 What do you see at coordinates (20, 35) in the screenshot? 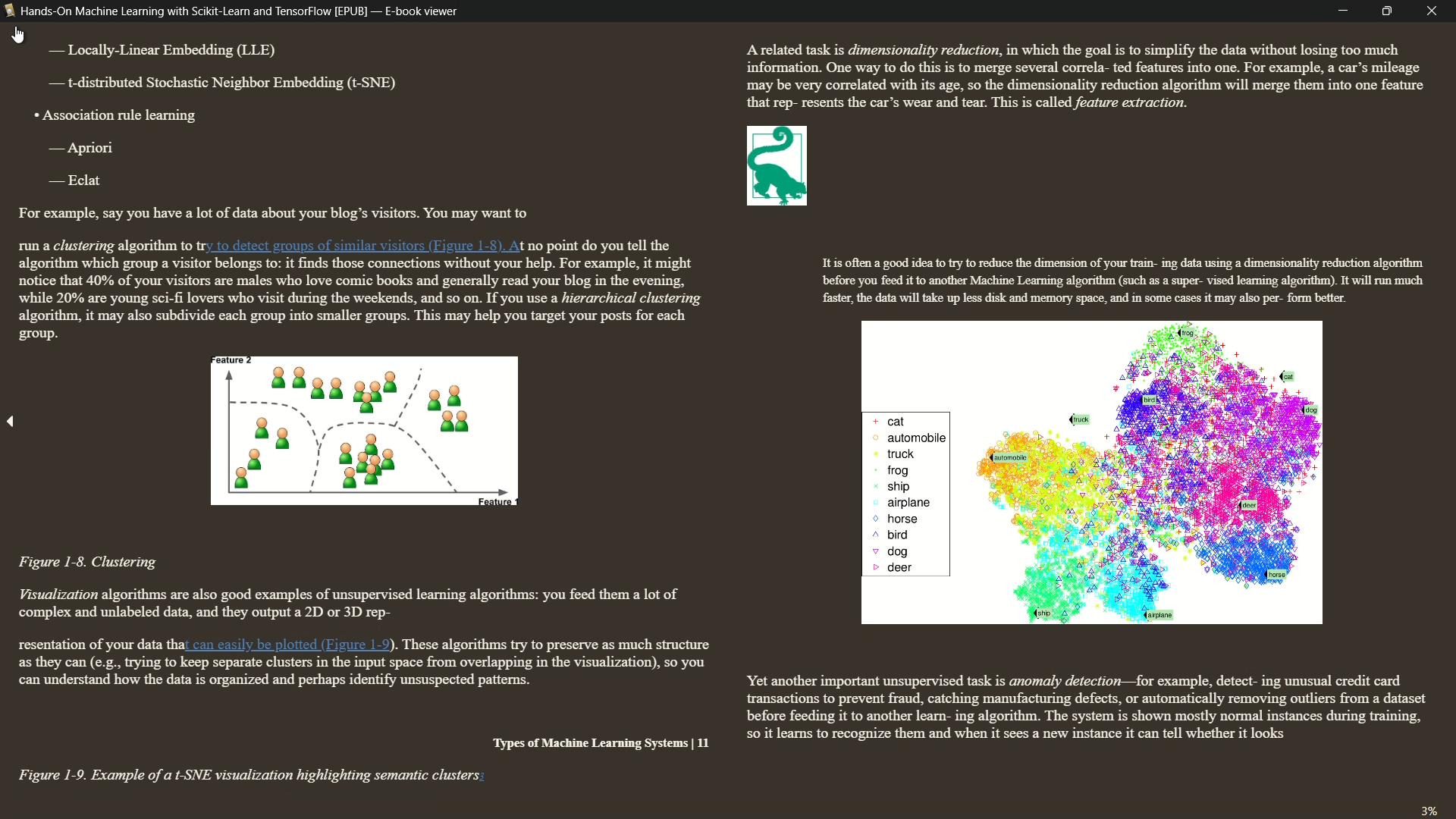
I see `cursor` at bounding box center [20, 35].